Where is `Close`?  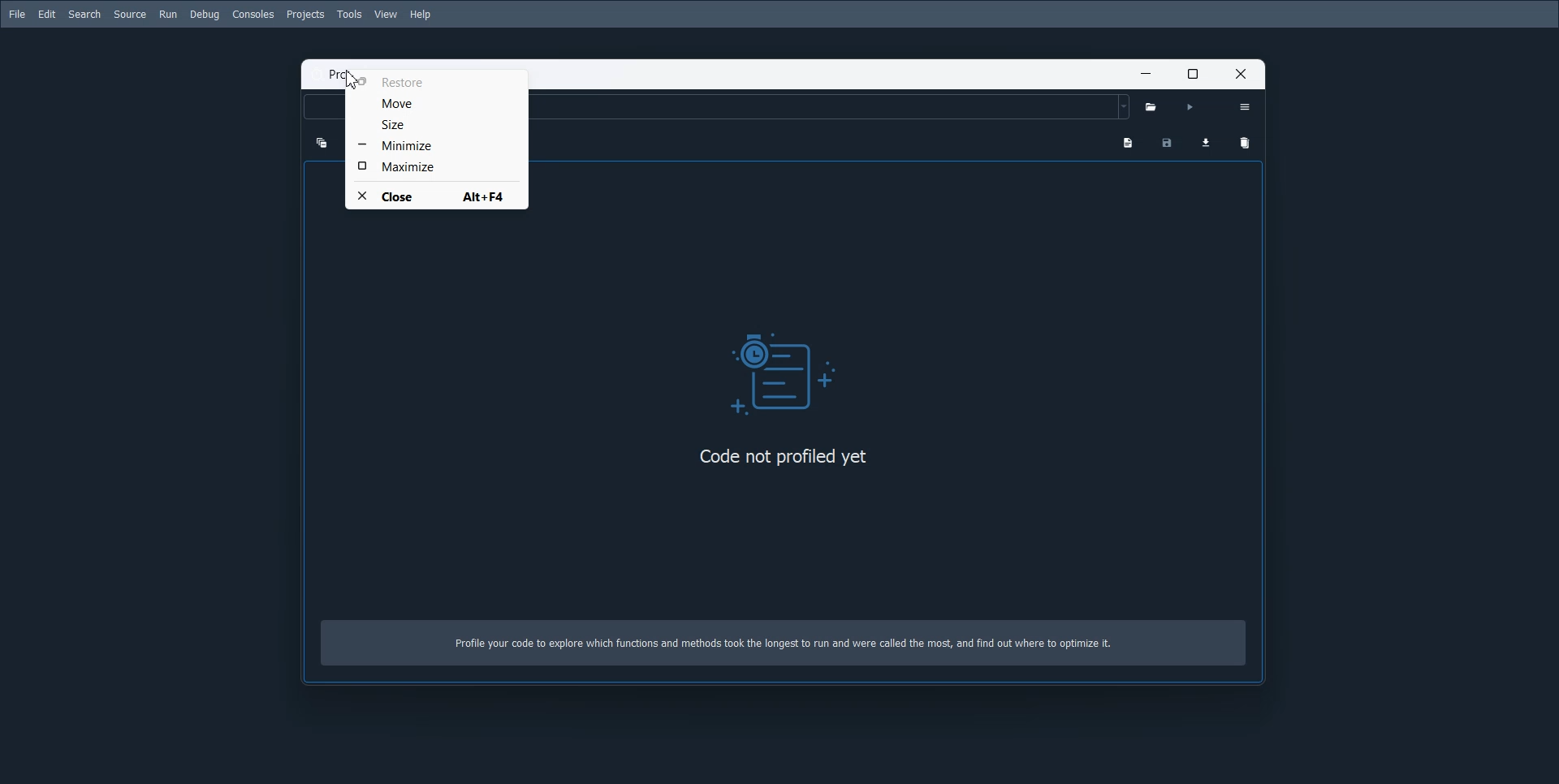 Close is located at coordinates (1245, 73).